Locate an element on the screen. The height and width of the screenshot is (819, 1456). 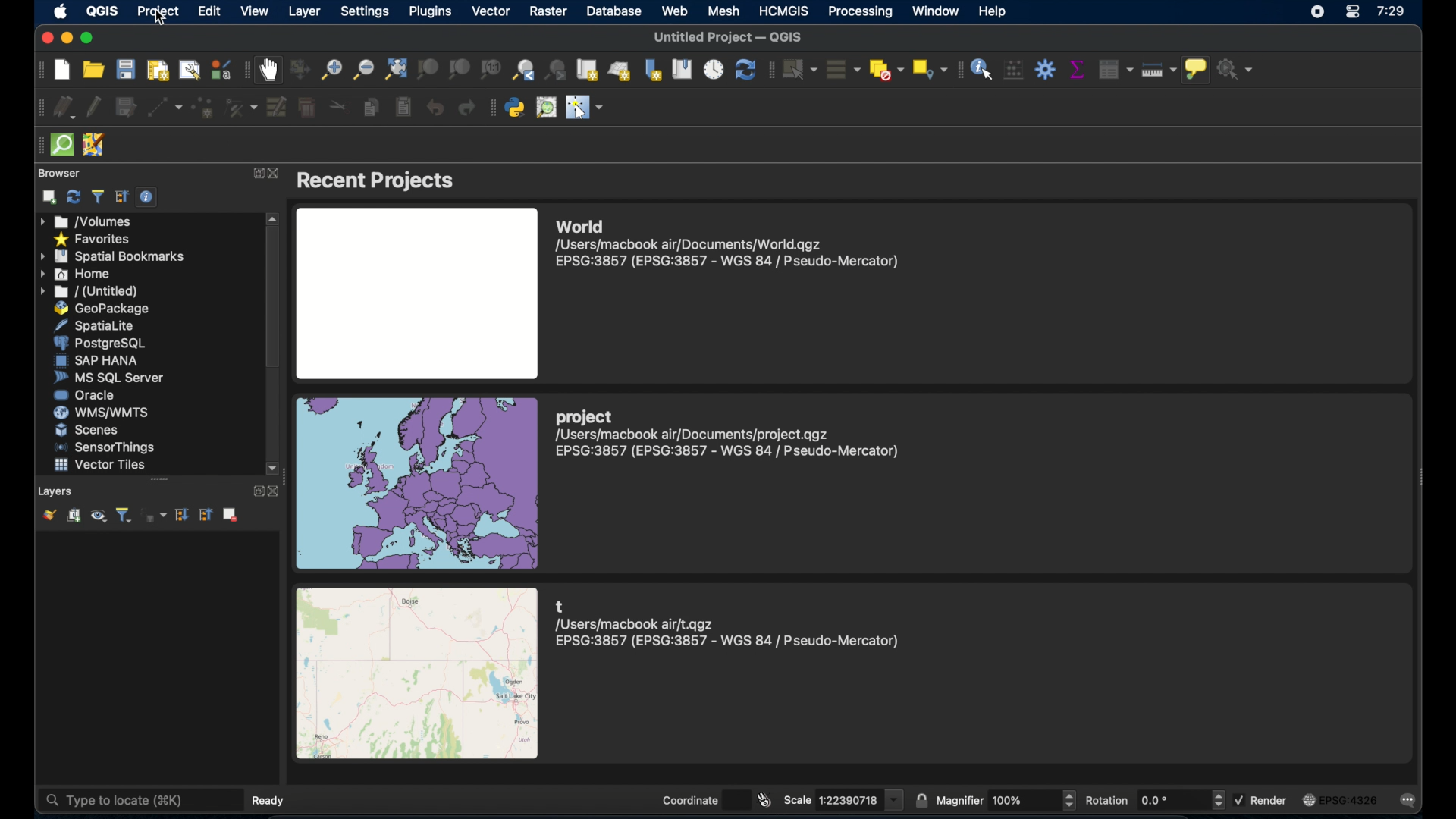
cut features is located at coordinates (334, 106).